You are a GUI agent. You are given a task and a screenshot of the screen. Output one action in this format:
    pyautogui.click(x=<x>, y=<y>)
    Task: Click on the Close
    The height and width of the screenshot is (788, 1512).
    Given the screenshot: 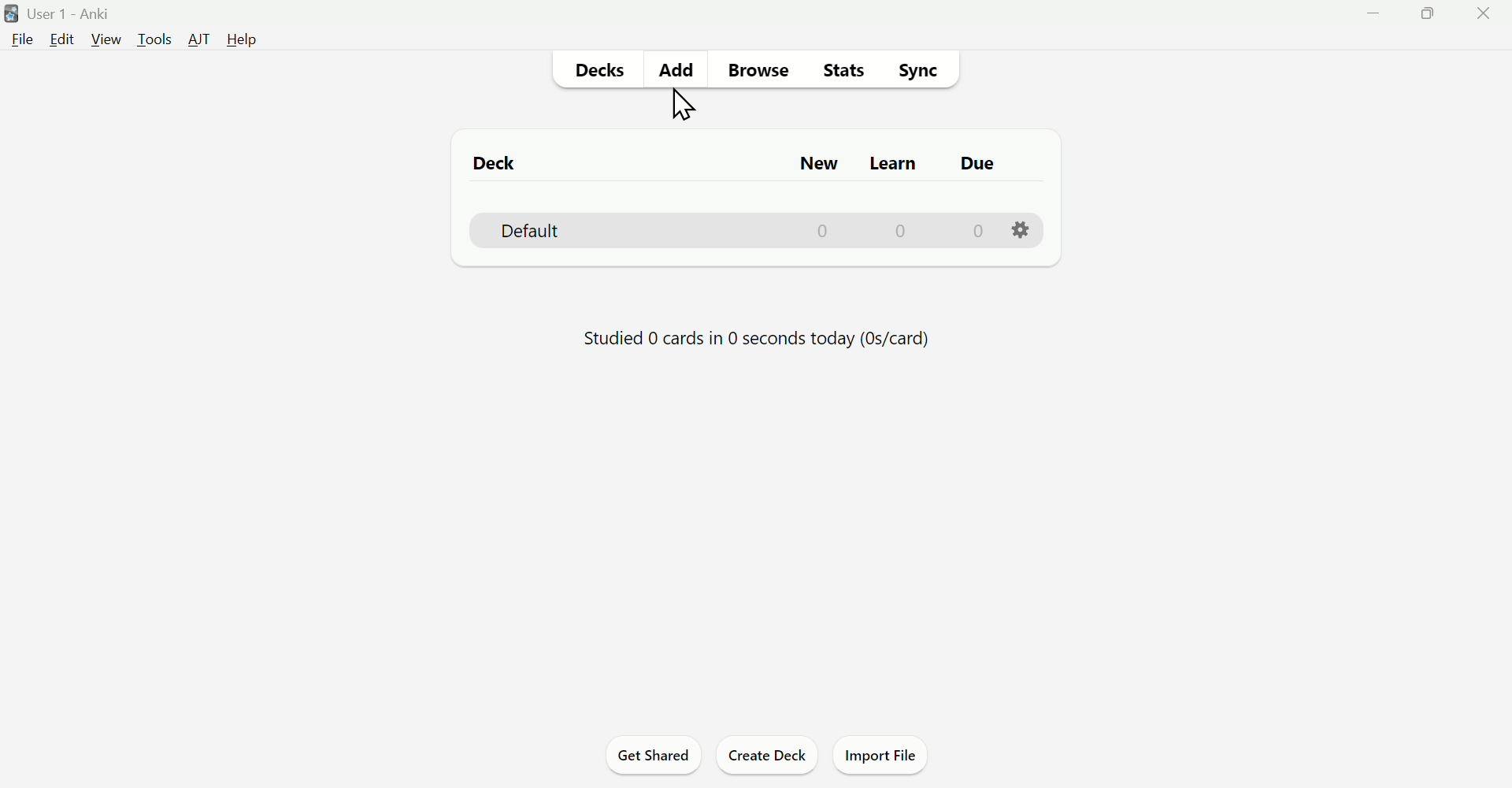 What is the action you would take?
    pyautogui.click(x=1487, y=13)
    